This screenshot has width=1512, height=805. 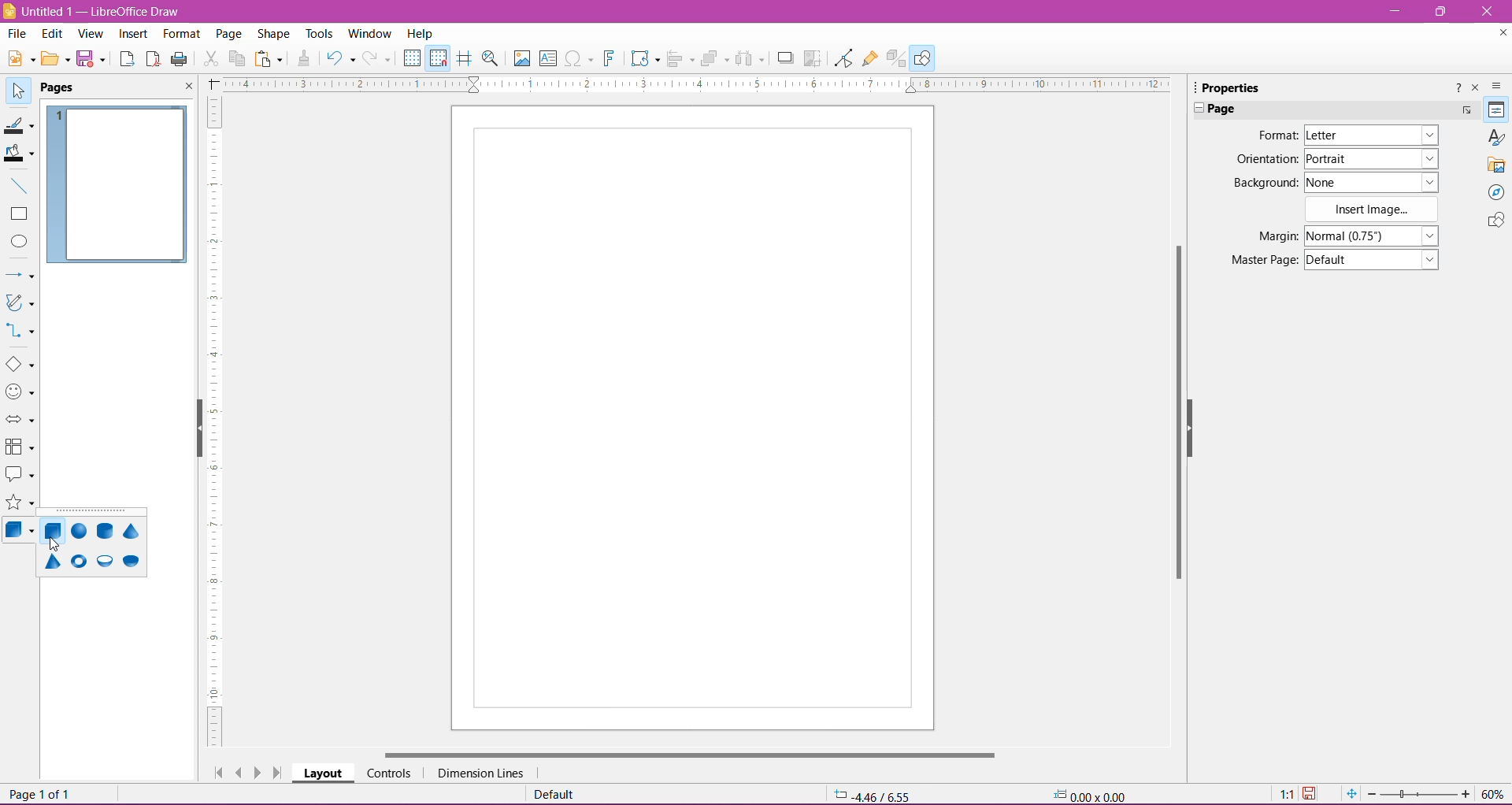 What do you see at coordinates (279, 773) in the screenshot?
I see `Scroll to last page` at bounding box center [279, 773].